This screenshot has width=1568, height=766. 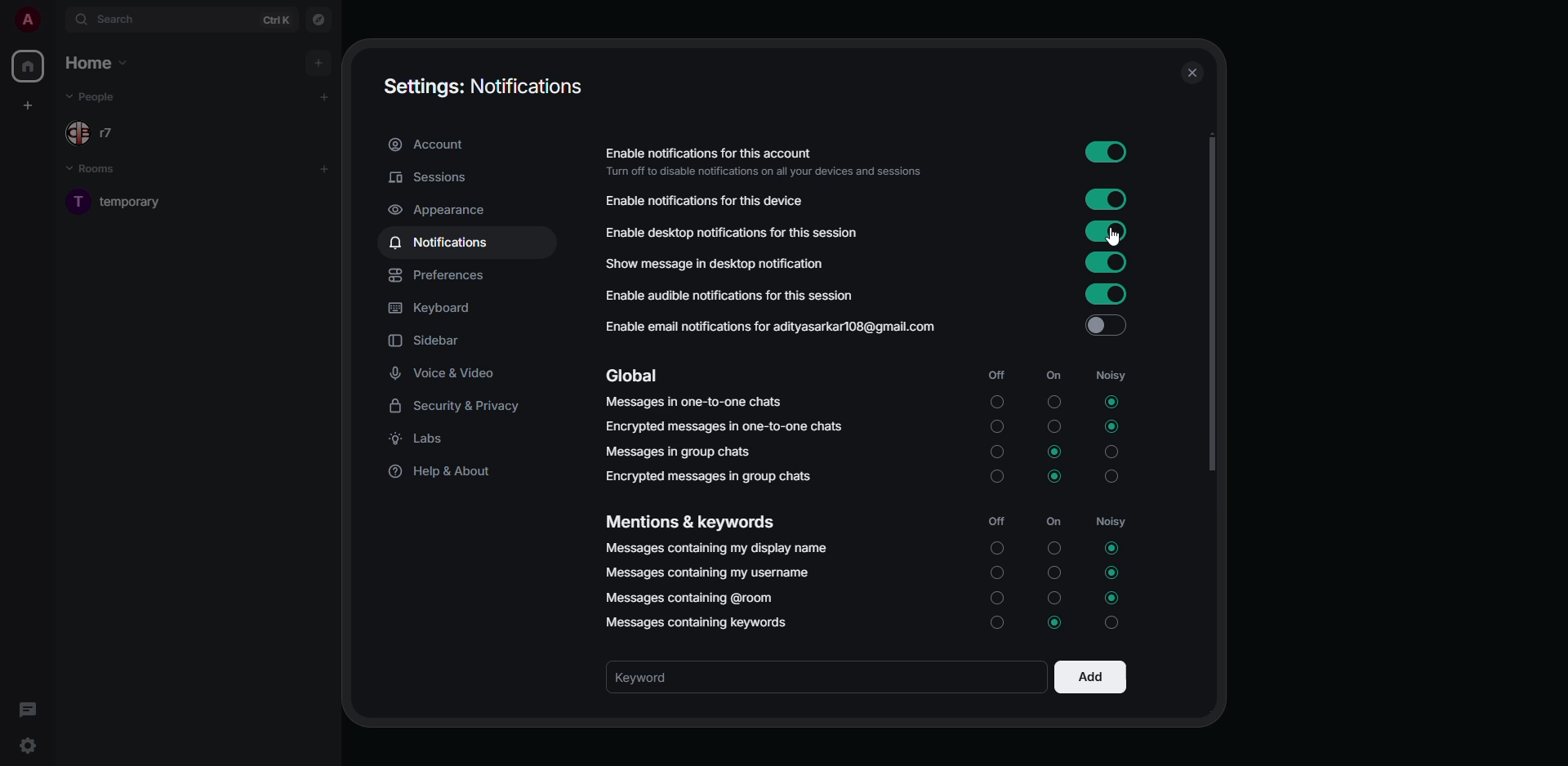 What do you see at coordinates (1116, 598) in the screenshot?
I see `selected` at bounding box center [1116, 598].